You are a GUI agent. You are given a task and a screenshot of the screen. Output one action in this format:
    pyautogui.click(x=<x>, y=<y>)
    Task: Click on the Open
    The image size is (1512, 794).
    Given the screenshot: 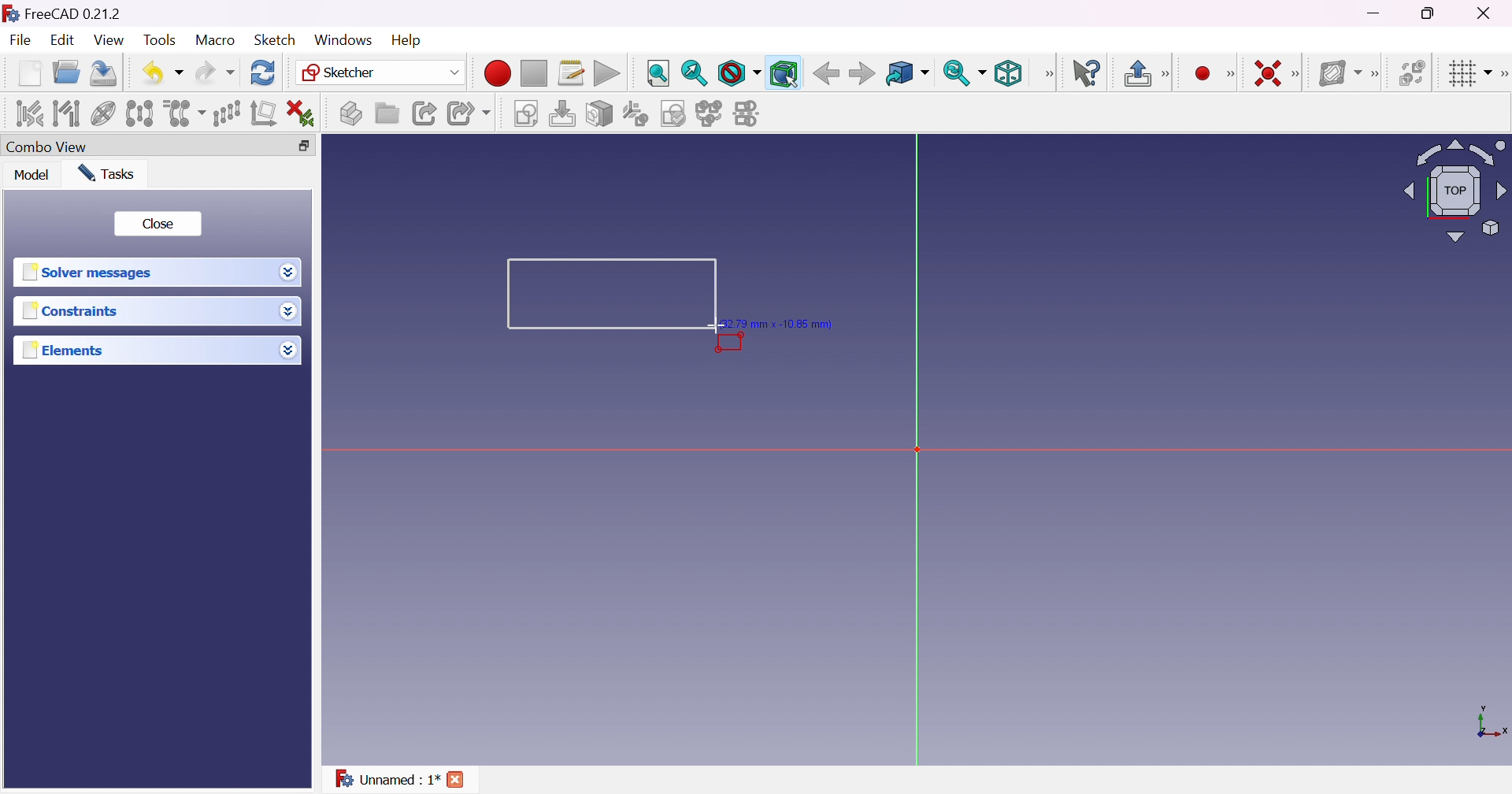 What is the action you would take?
    pyautogui.click(x=67, y=72)
    